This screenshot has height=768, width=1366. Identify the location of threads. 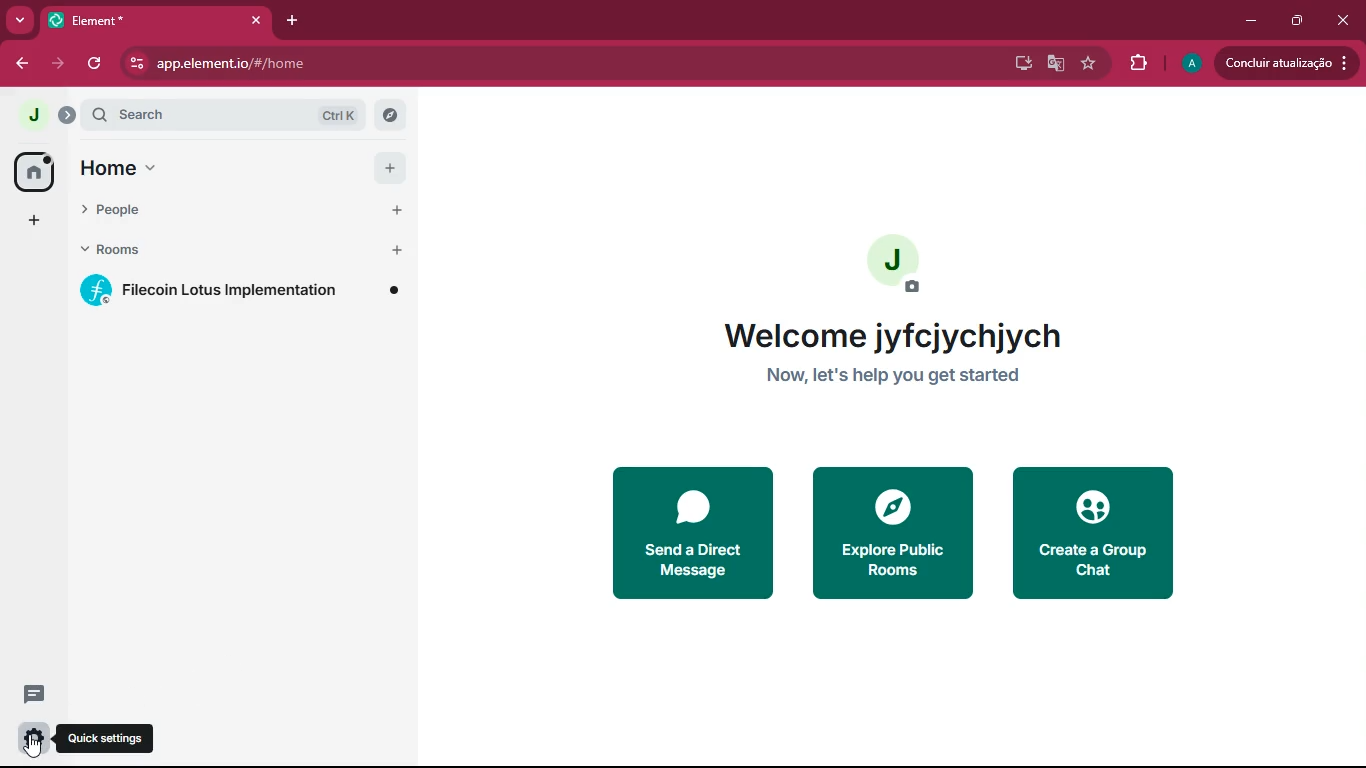
(34, 694).